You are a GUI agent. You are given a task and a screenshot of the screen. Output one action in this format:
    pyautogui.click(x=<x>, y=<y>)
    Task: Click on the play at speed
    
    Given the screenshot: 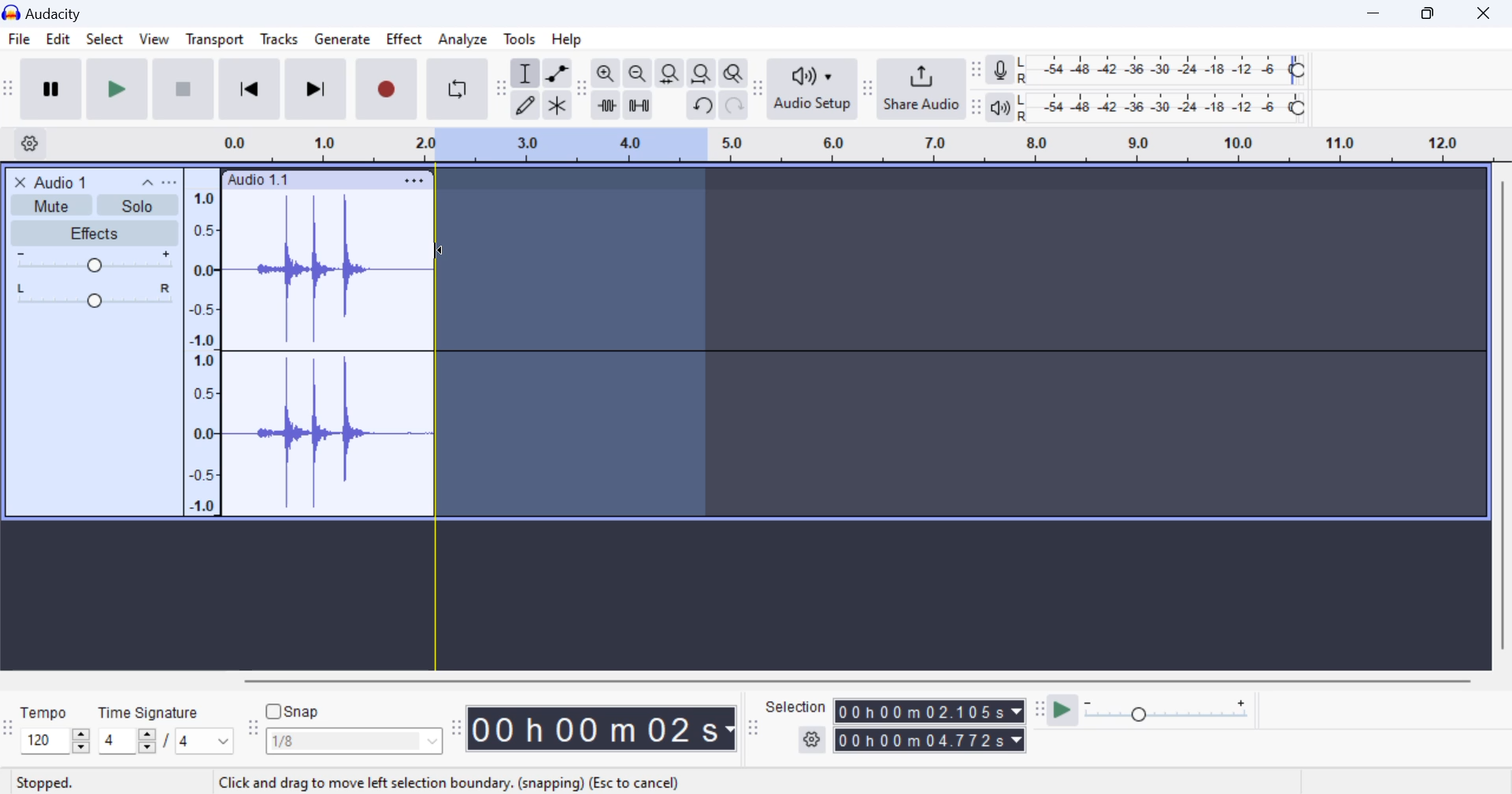 What is the action you would take?
    pyautogui.click(x=1062, y=711)
    